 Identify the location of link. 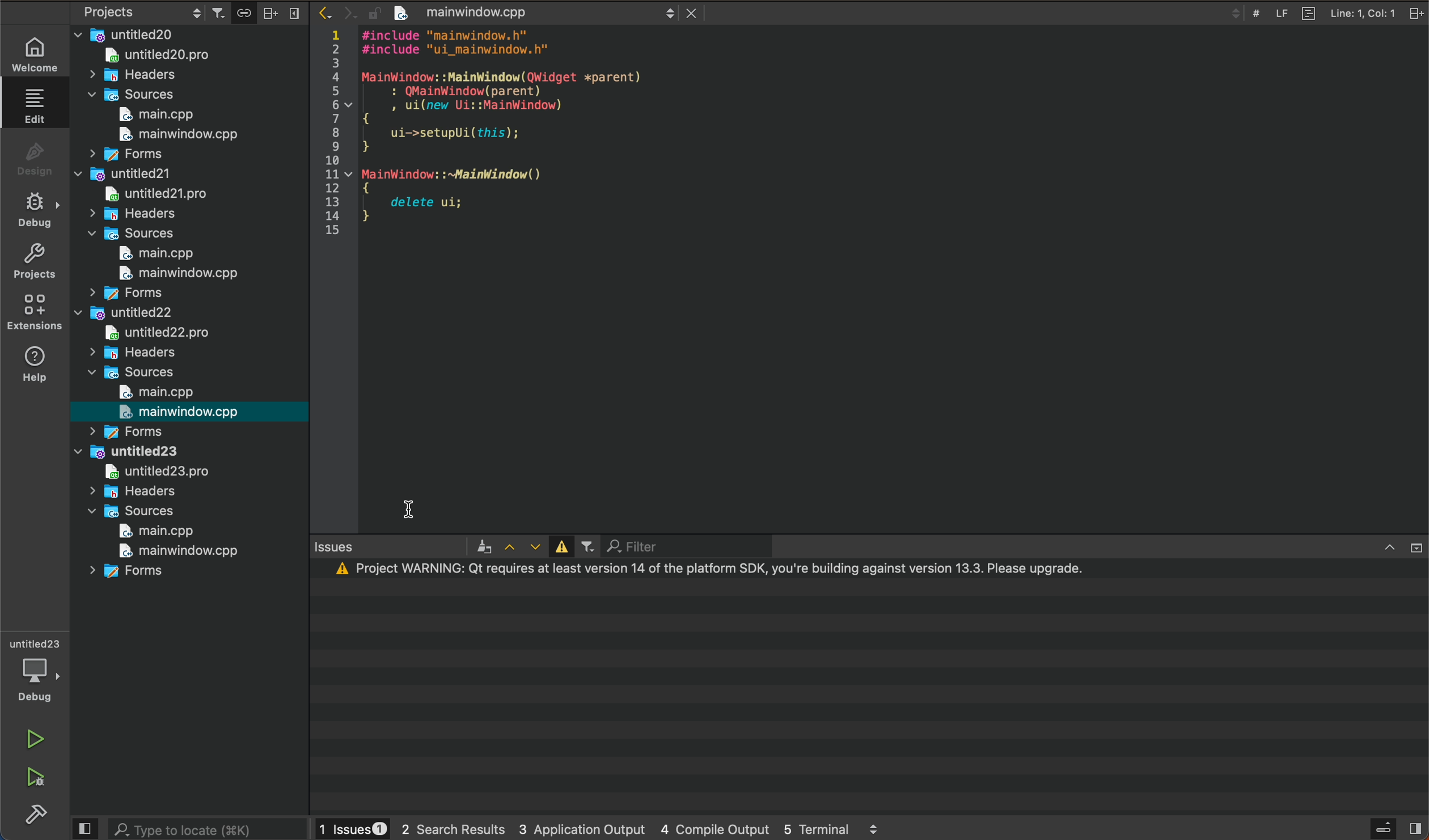
(243, 11).